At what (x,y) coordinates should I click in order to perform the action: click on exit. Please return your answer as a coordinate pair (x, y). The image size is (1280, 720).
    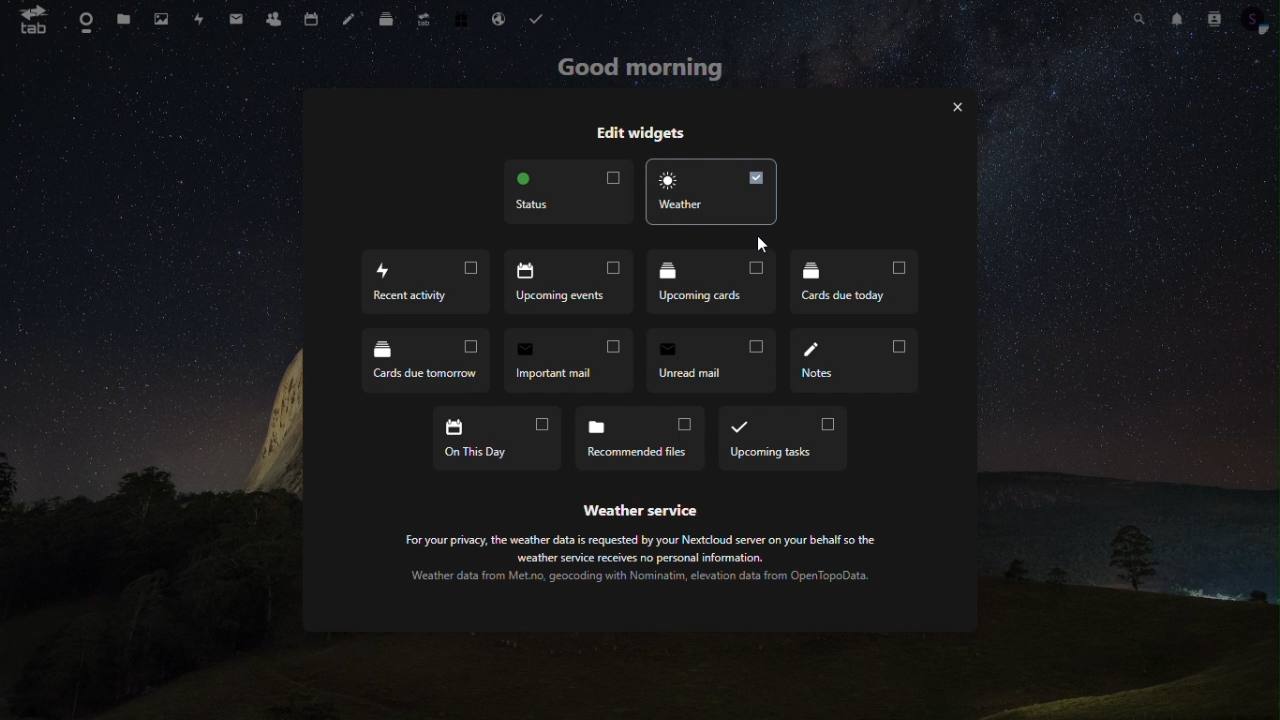
    Looking at the image, I should click on (954, 108).